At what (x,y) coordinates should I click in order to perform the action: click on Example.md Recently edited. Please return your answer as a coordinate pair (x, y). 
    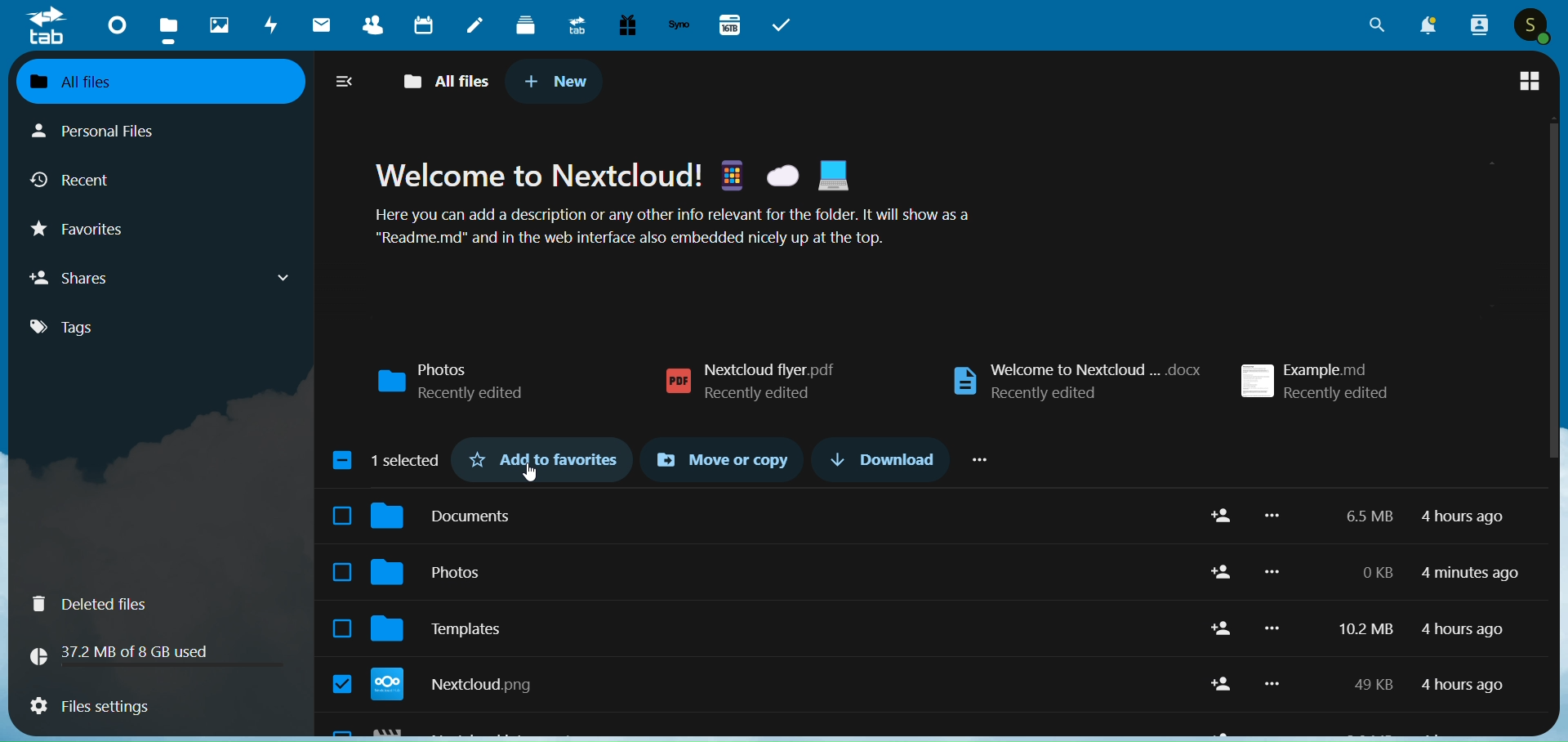
    Looking at the image, I should click on (1316, 381).